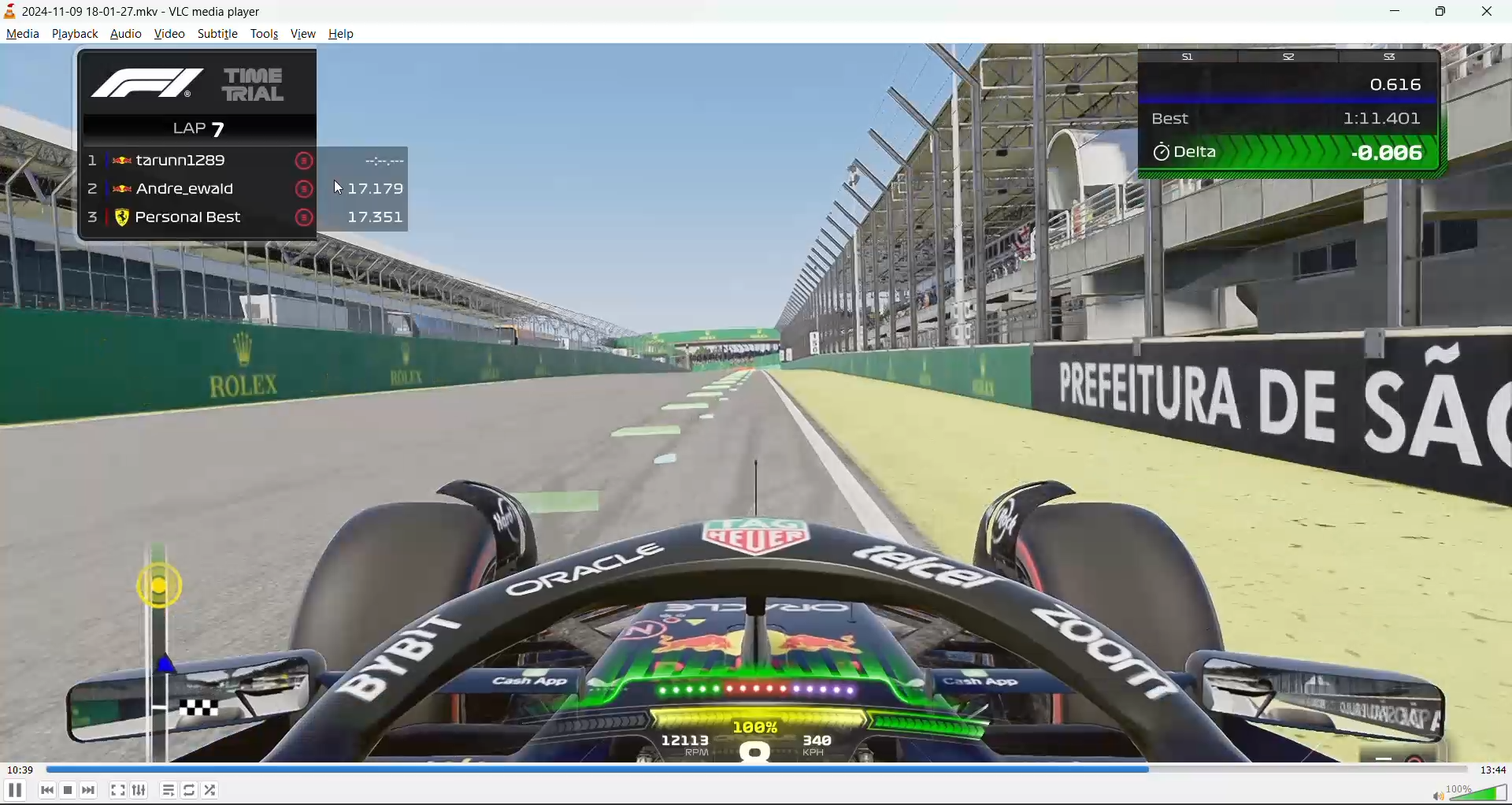 This screenshot has height=805, width=1512. Describe the element at coordinates (169, 35) in the screenshot. I see `video` at that location.